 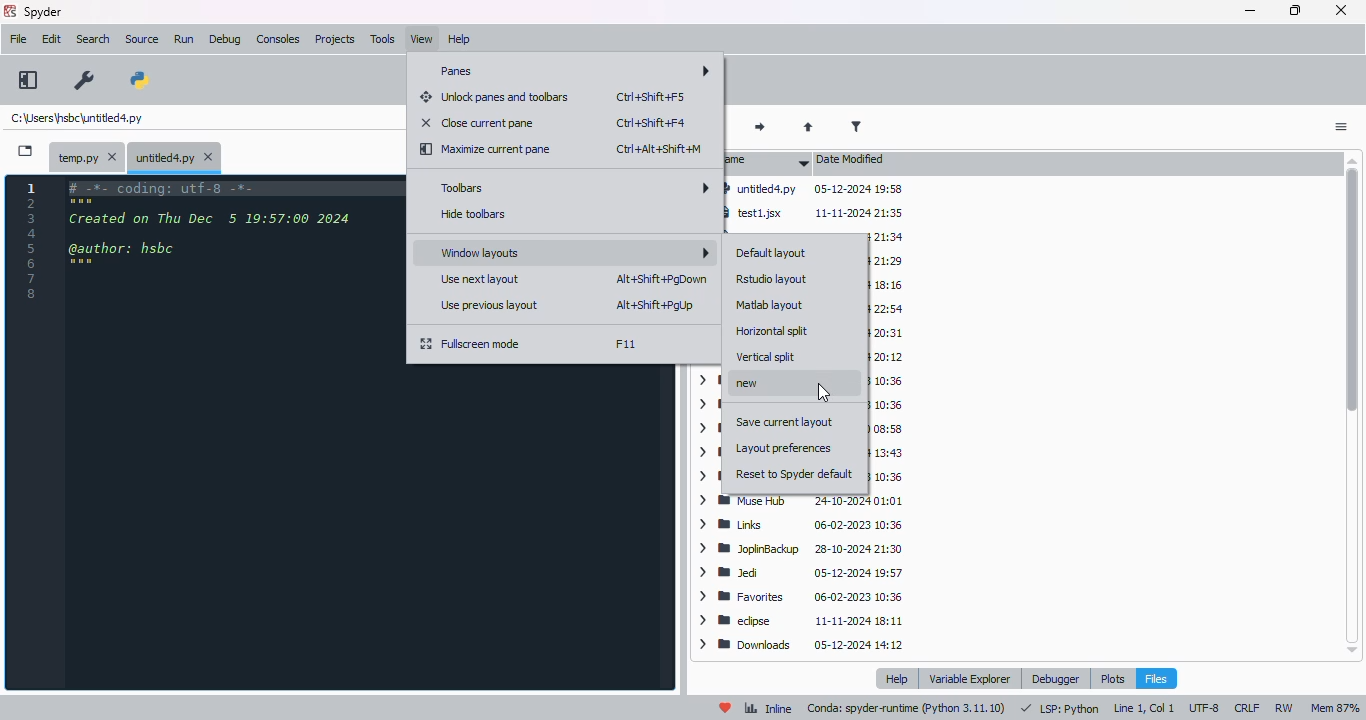 What do you see at coordinates (795, 474) in the screenshot?
I see `reset to spyder default` at bounding box center [795, 474].